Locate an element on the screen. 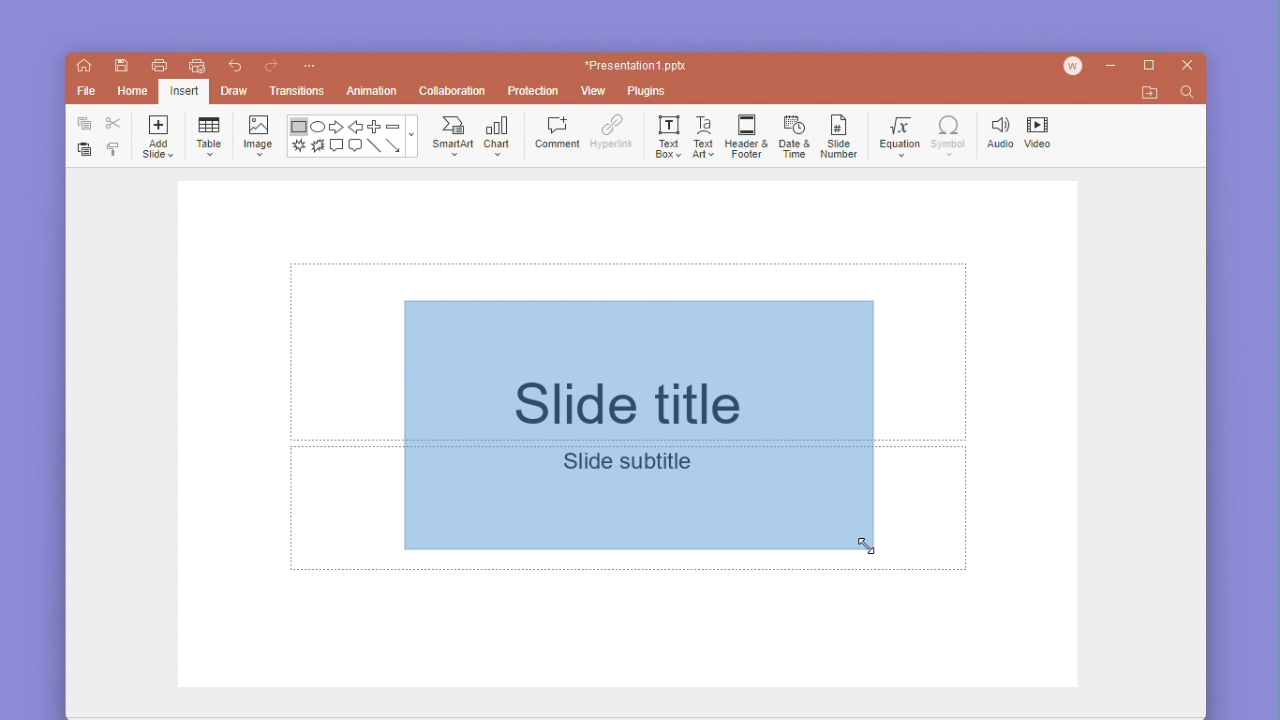  plus is located at coordinates (373, 126).